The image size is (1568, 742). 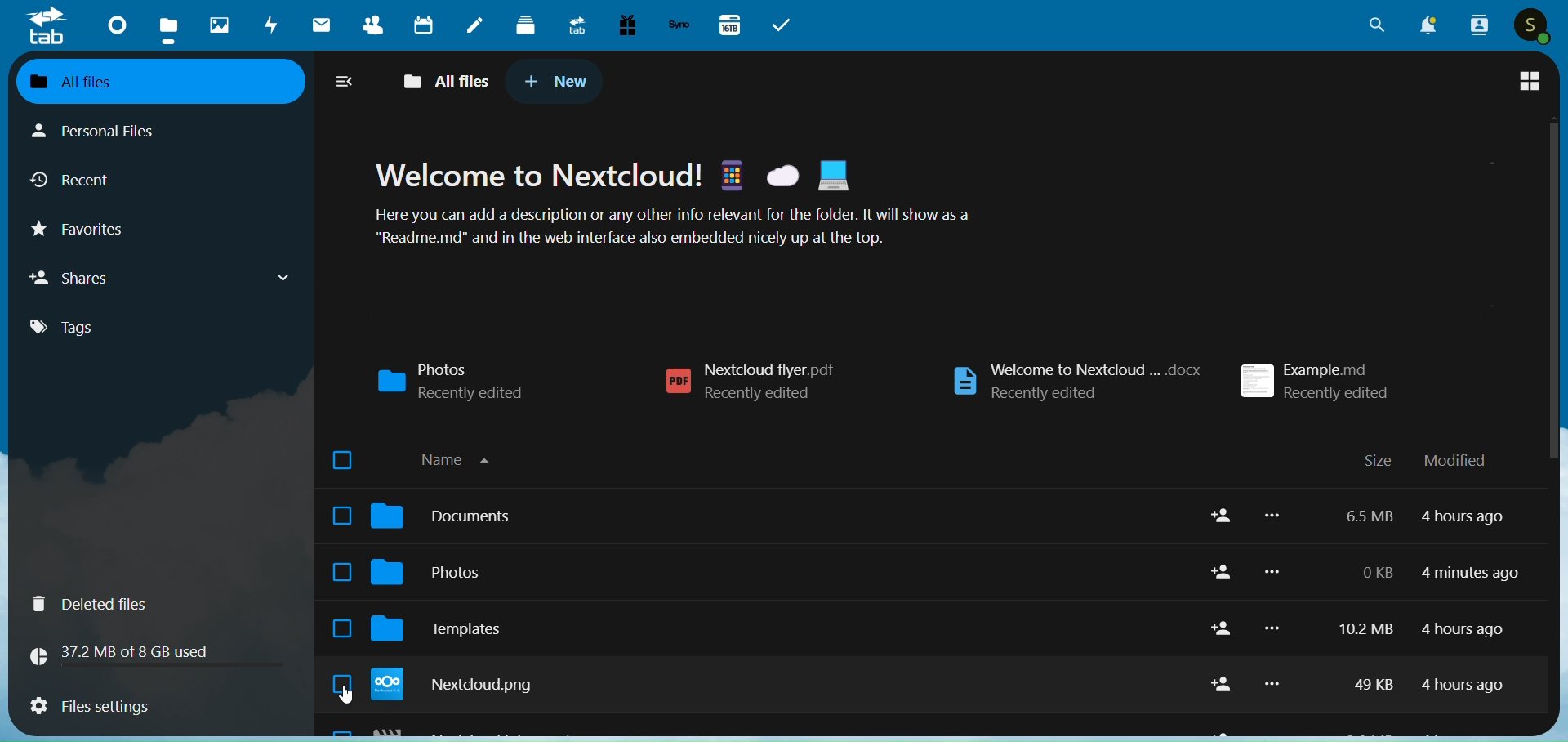 What do you see at coordinates (113, 26) in the screenshot?
I see `dashboard` at bounding box center [113, 26].